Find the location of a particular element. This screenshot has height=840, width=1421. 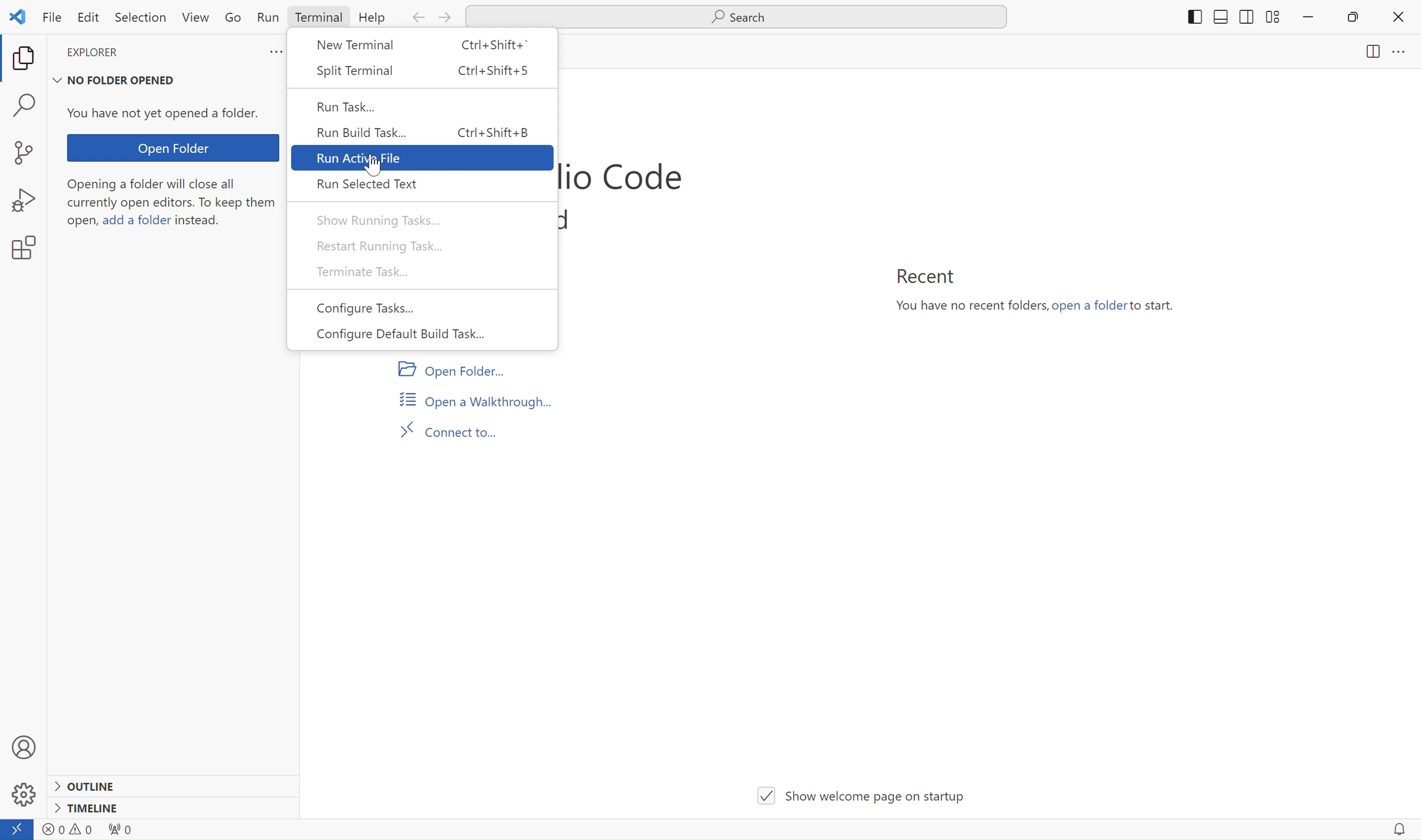

Open a walkthrough is located at coordinates (476, 397).